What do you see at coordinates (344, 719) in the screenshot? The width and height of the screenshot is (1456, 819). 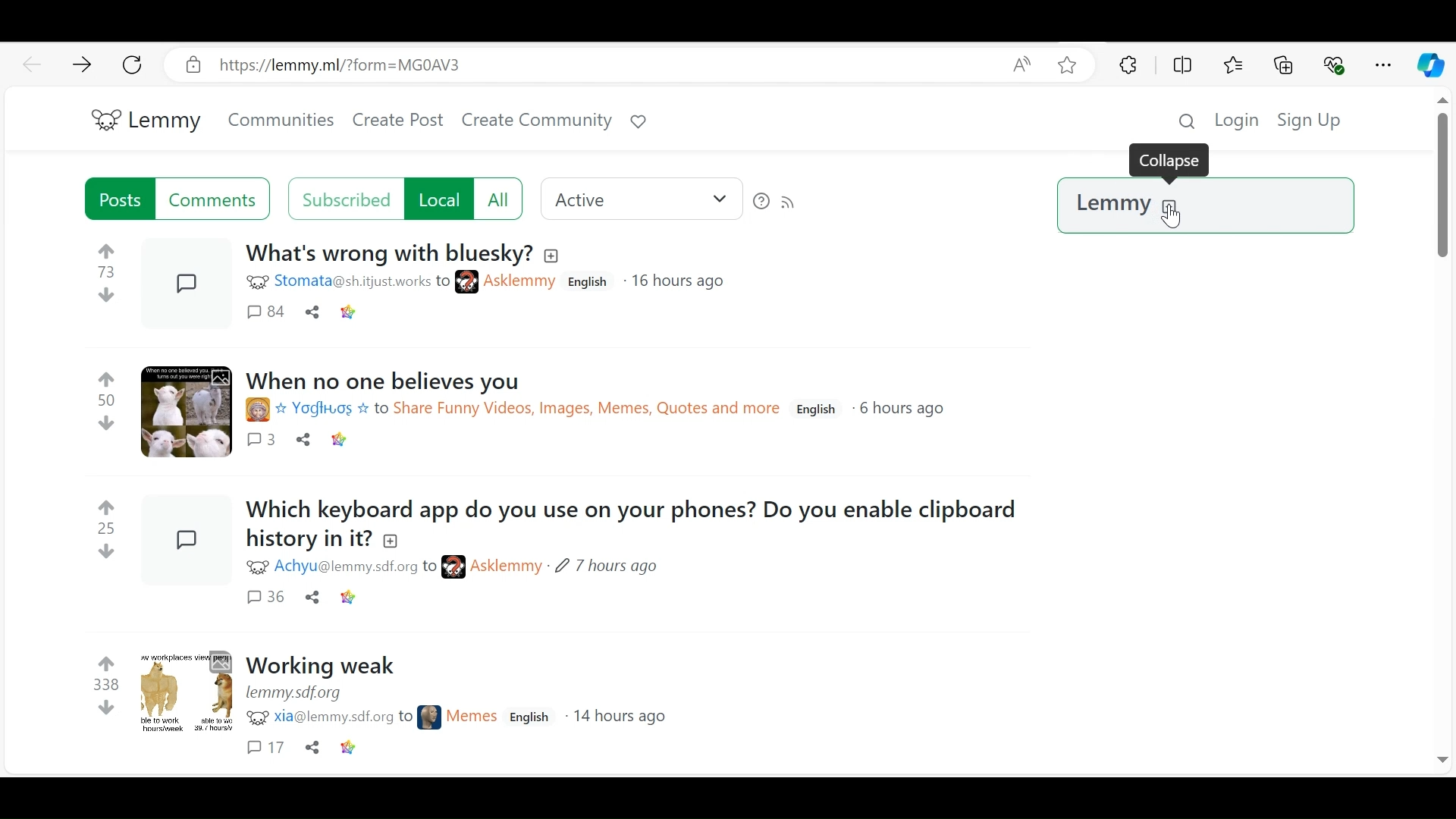 I see `mentions` at bounding box center [344, 719].